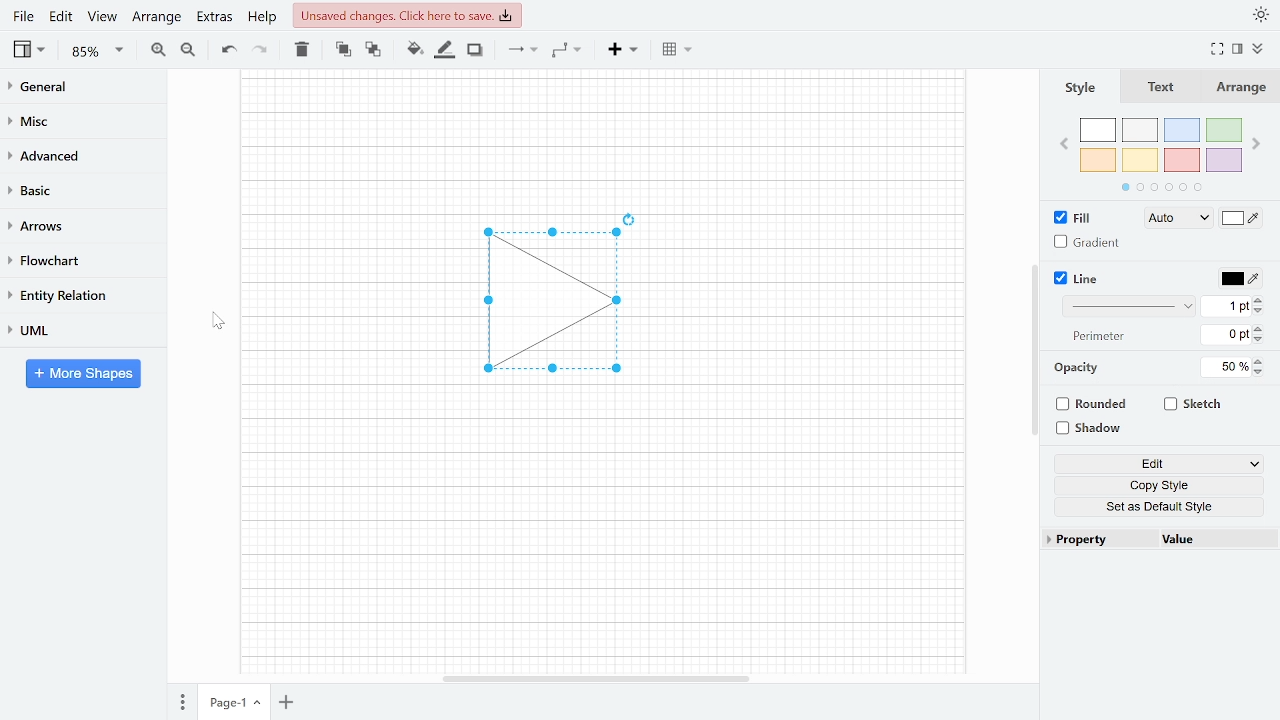 This screenshot has width=1280, height=720. I want to click on Previous, so click(1063, 142).